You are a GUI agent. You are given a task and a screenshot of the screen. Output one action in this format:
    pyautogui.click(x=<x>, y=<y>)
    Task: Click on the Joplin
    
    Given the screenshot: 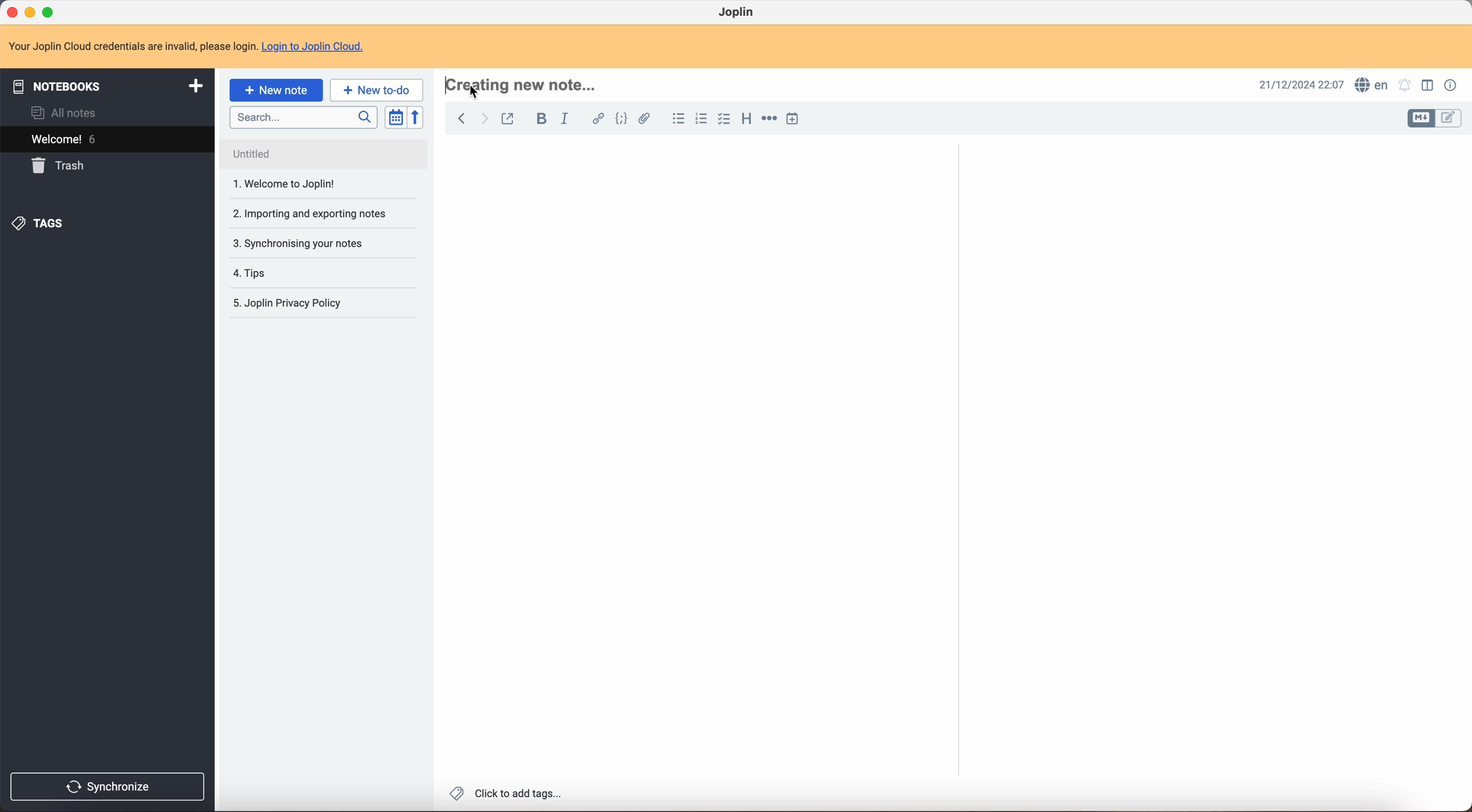 What is the action you would take?
    pyautogui.click(x=738, y=11)
    